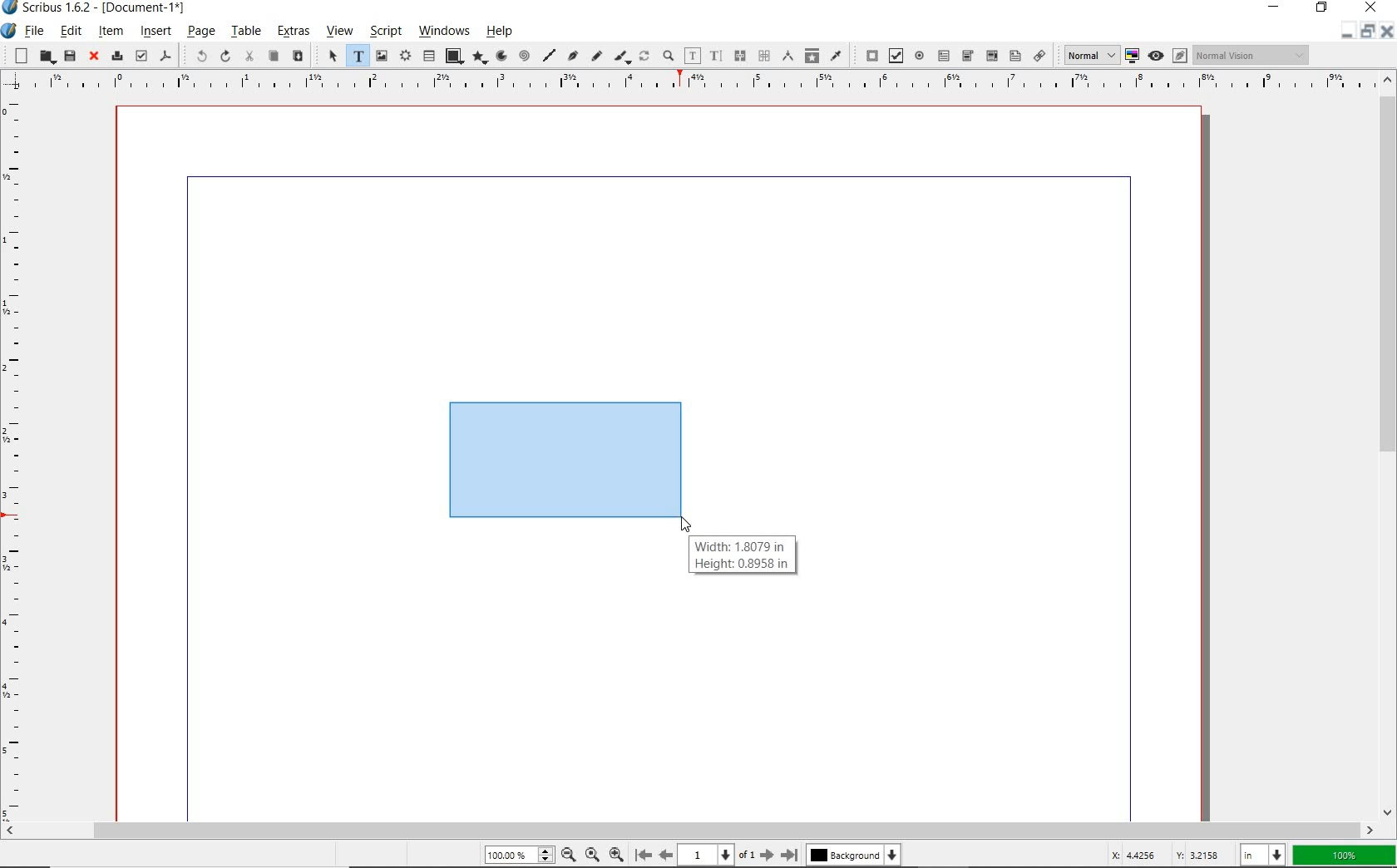 This screenshot has height=868, width=1397. I want to click on line, so click(549, 54).